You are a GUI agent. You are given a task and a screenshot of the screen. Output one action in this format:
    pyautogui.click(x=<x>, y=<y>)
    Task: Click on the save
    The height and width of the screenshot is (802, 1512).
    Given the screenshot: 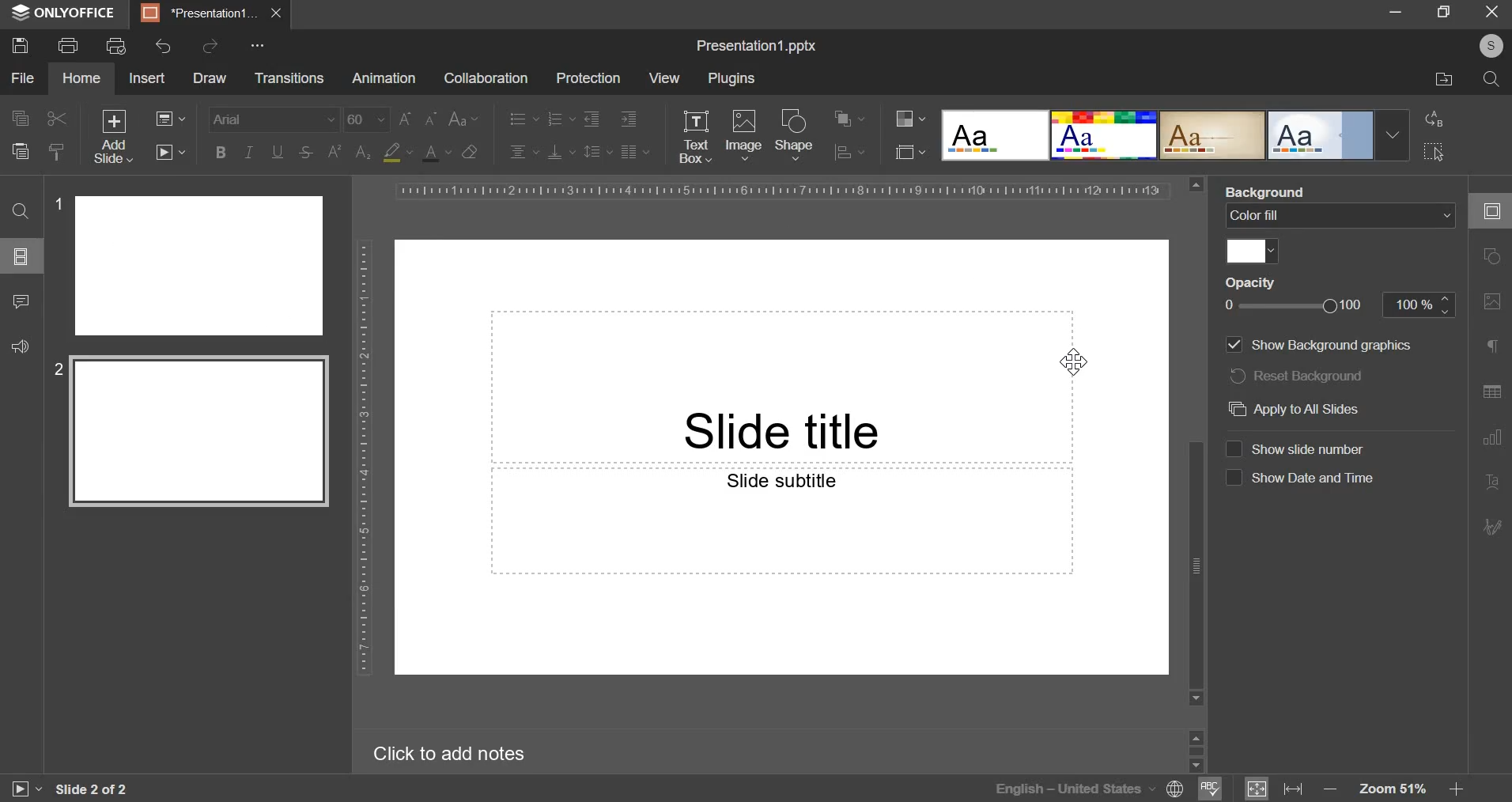 What is the action you would take?
    pyautogui.click(x=19, y=44)
    